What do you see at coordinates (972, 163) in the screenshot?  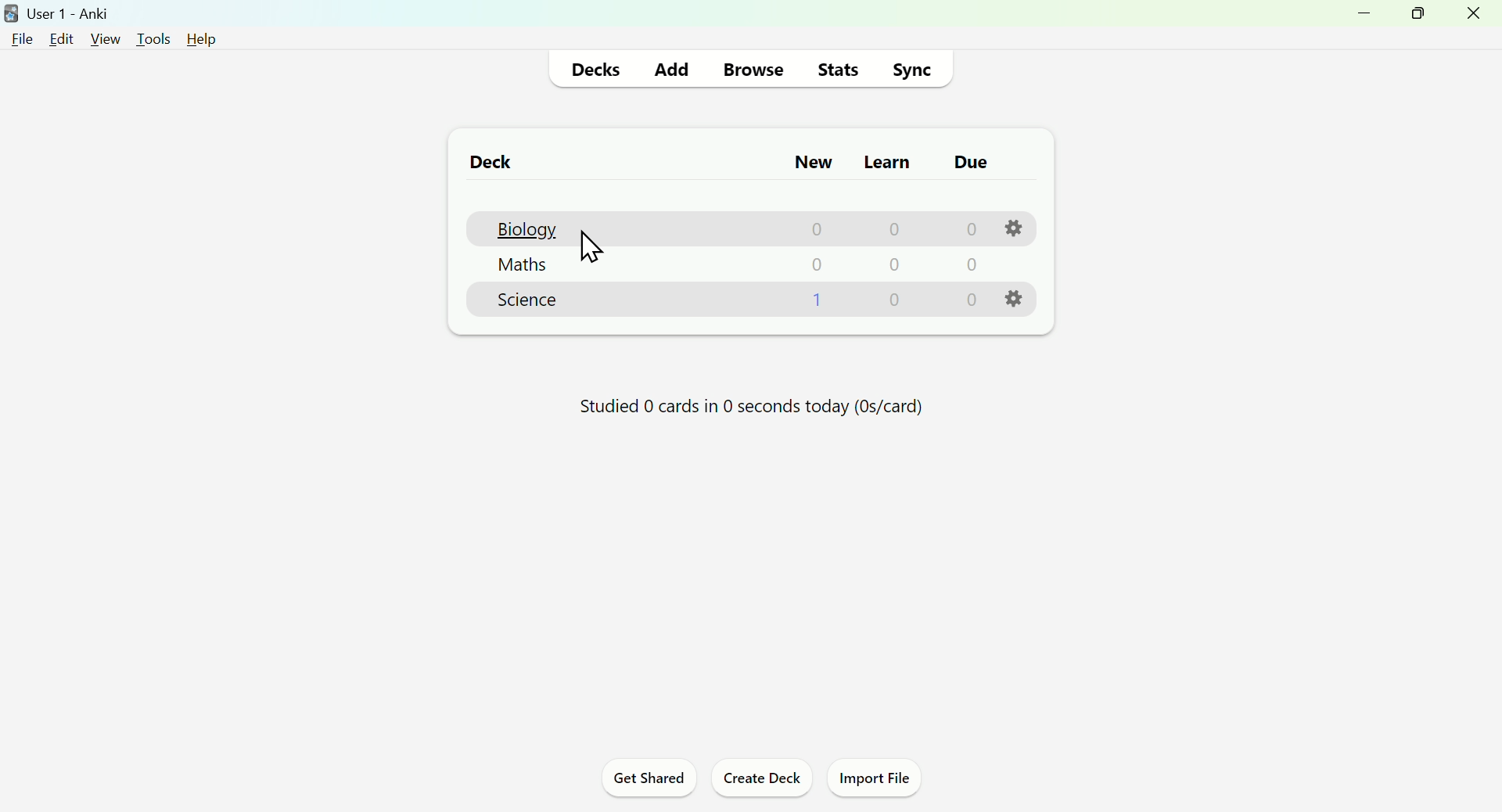 I see `due` at bounding box center [972, 163].